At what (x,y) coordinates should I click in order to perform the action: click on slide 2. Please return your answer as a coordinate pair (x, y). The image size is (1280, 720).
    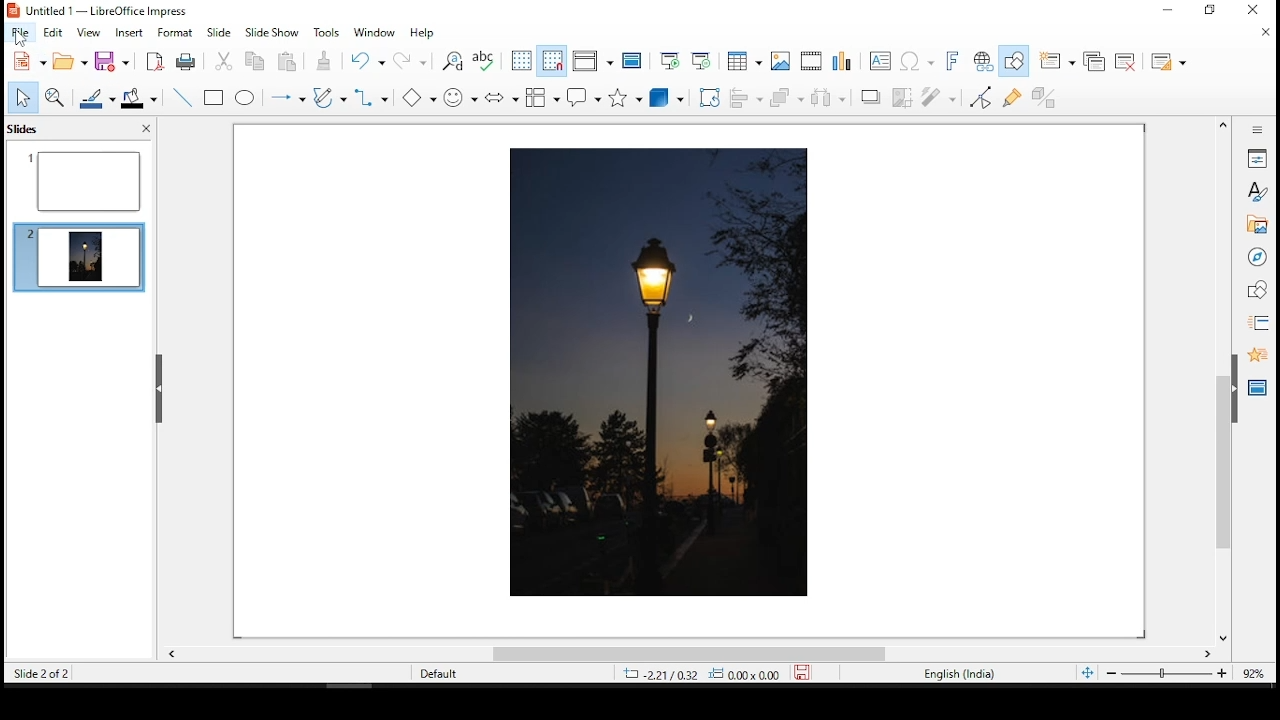
    Looking at the image, I should click on (85, 254).